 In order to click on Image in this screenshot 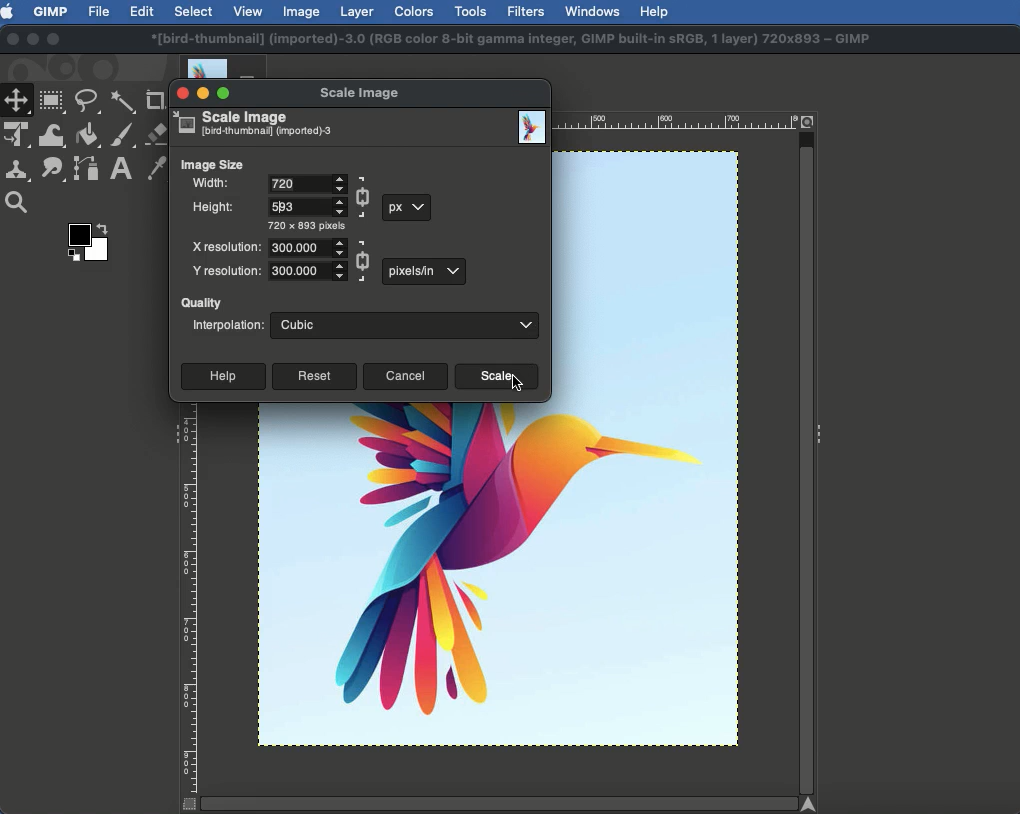, I will do `click(529, 123)`.